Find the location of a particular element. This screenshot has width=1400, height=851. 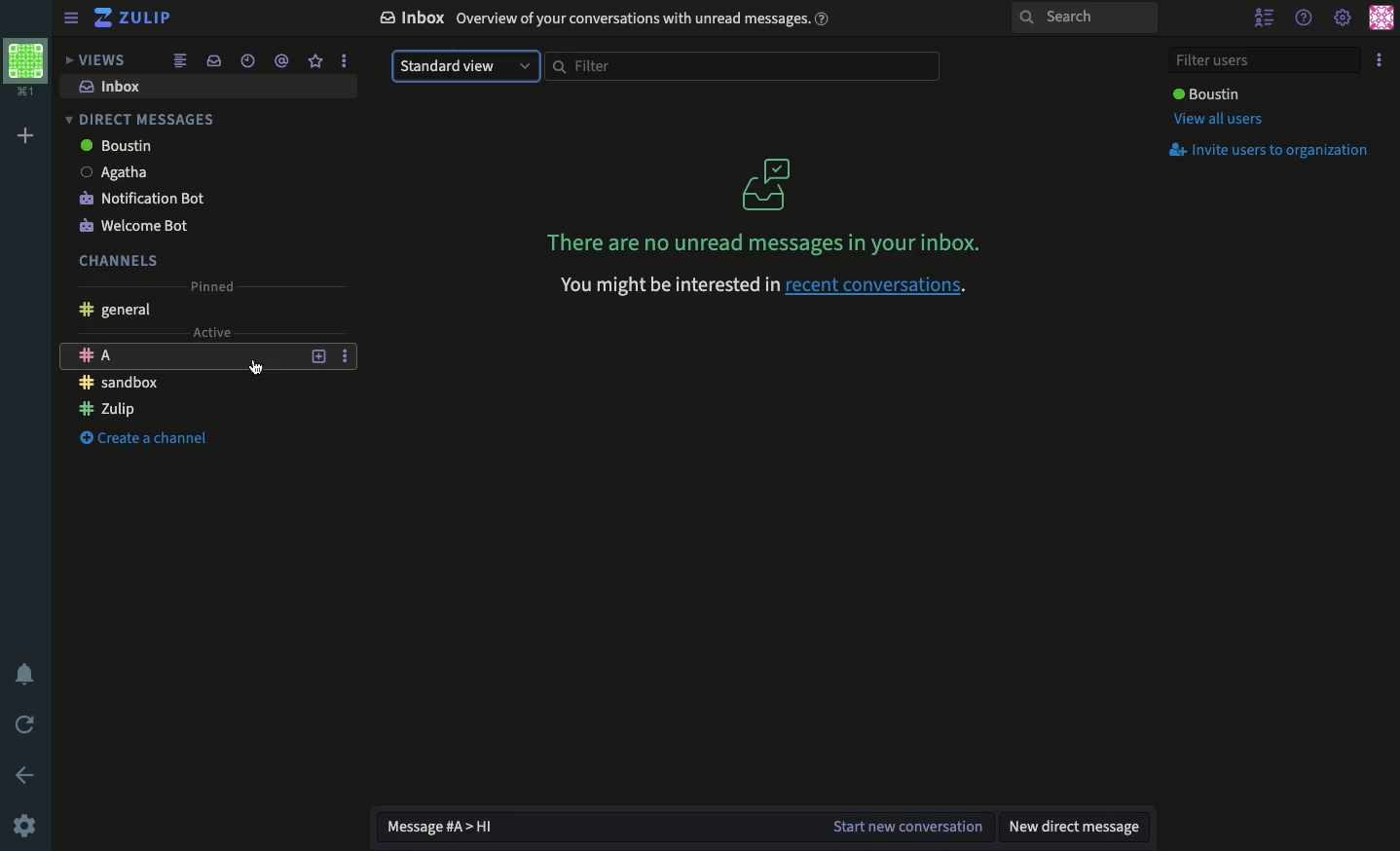

Create a channel is located at coordinates (155, 440).